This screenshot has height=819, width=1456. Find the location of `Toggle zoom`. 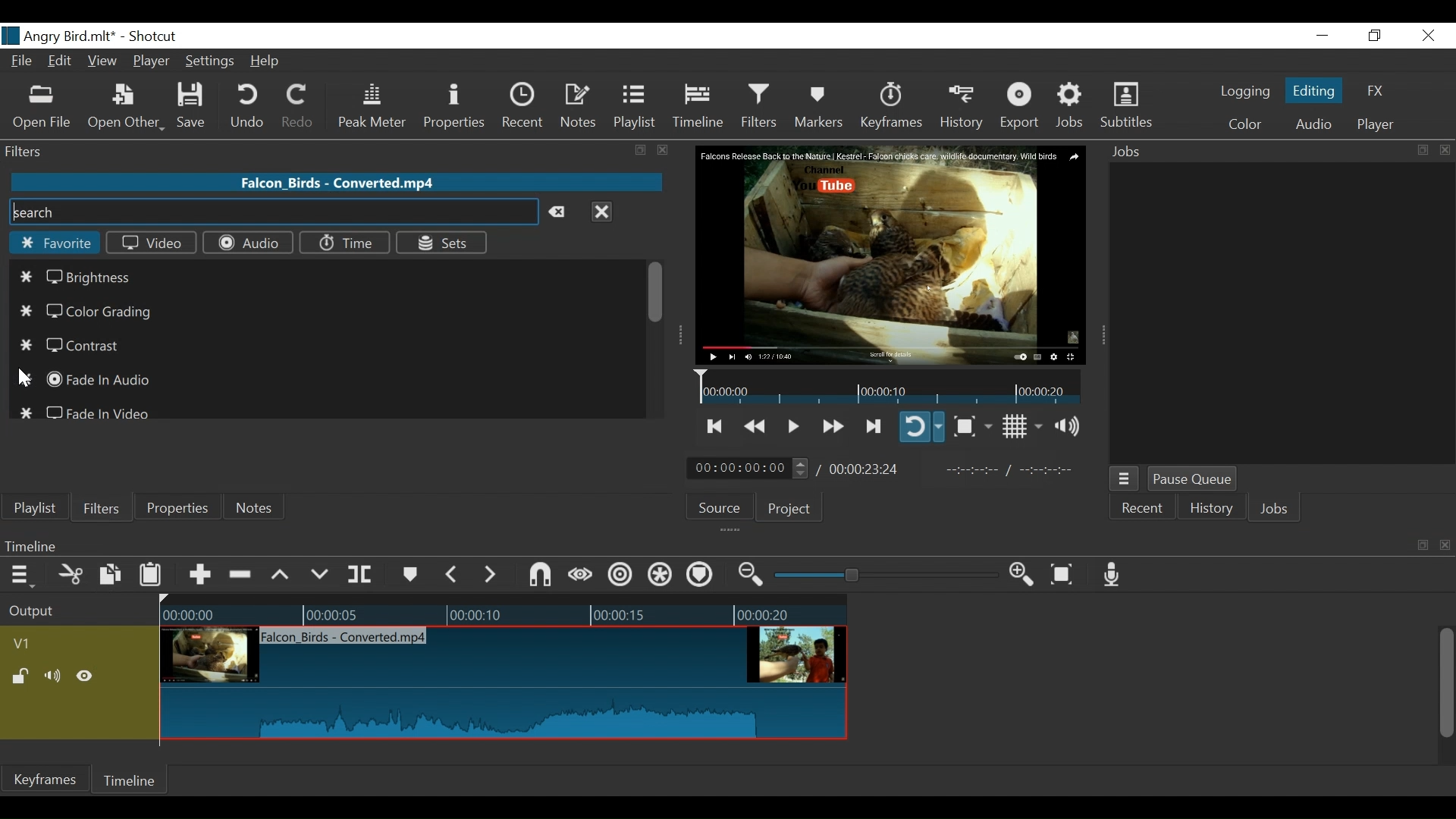

Toggle zoom is located at coordinates (972, 426).